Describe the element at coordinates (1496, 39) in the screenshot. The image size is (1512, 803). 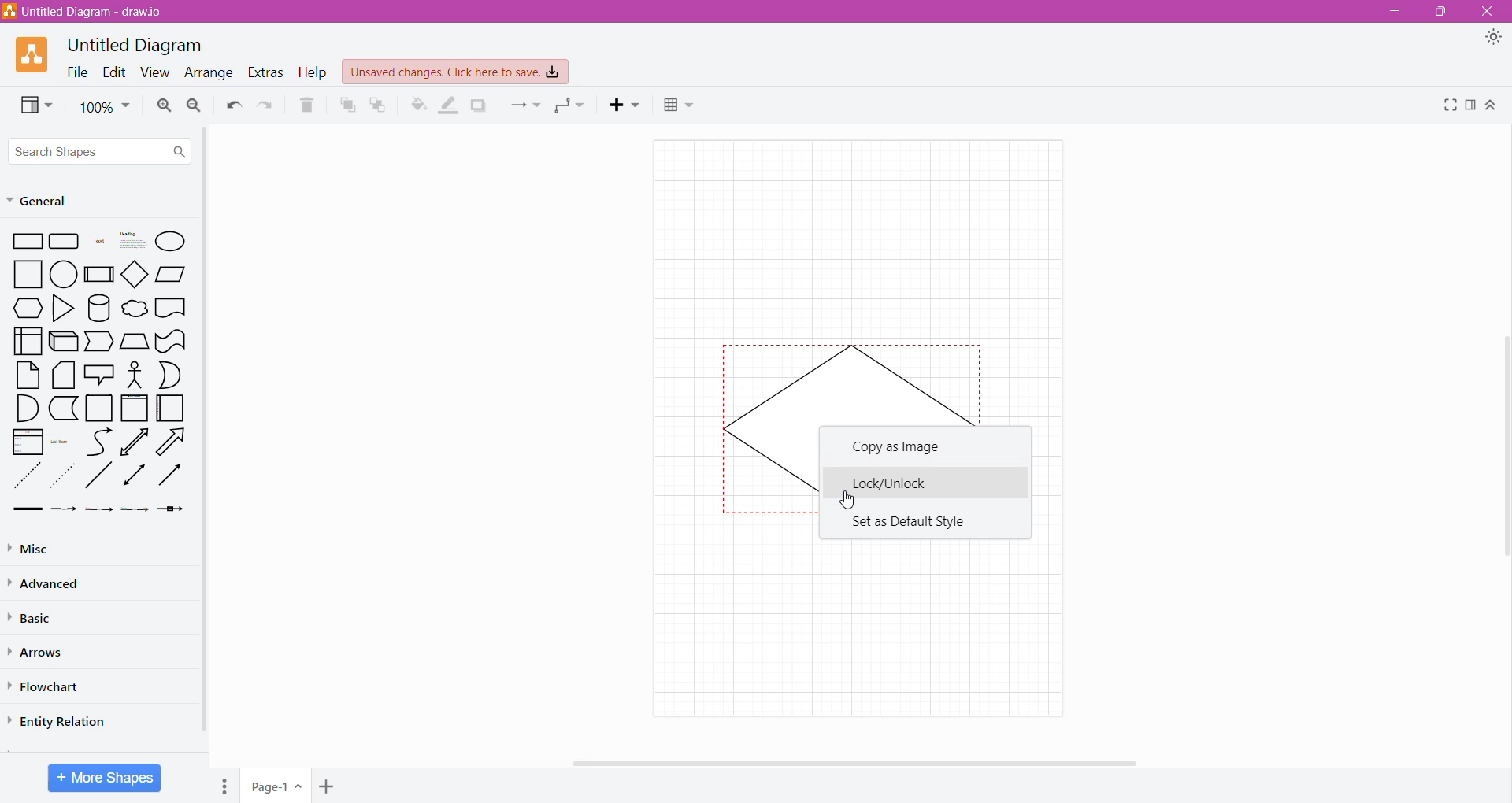
I see `Appearance` at that location.